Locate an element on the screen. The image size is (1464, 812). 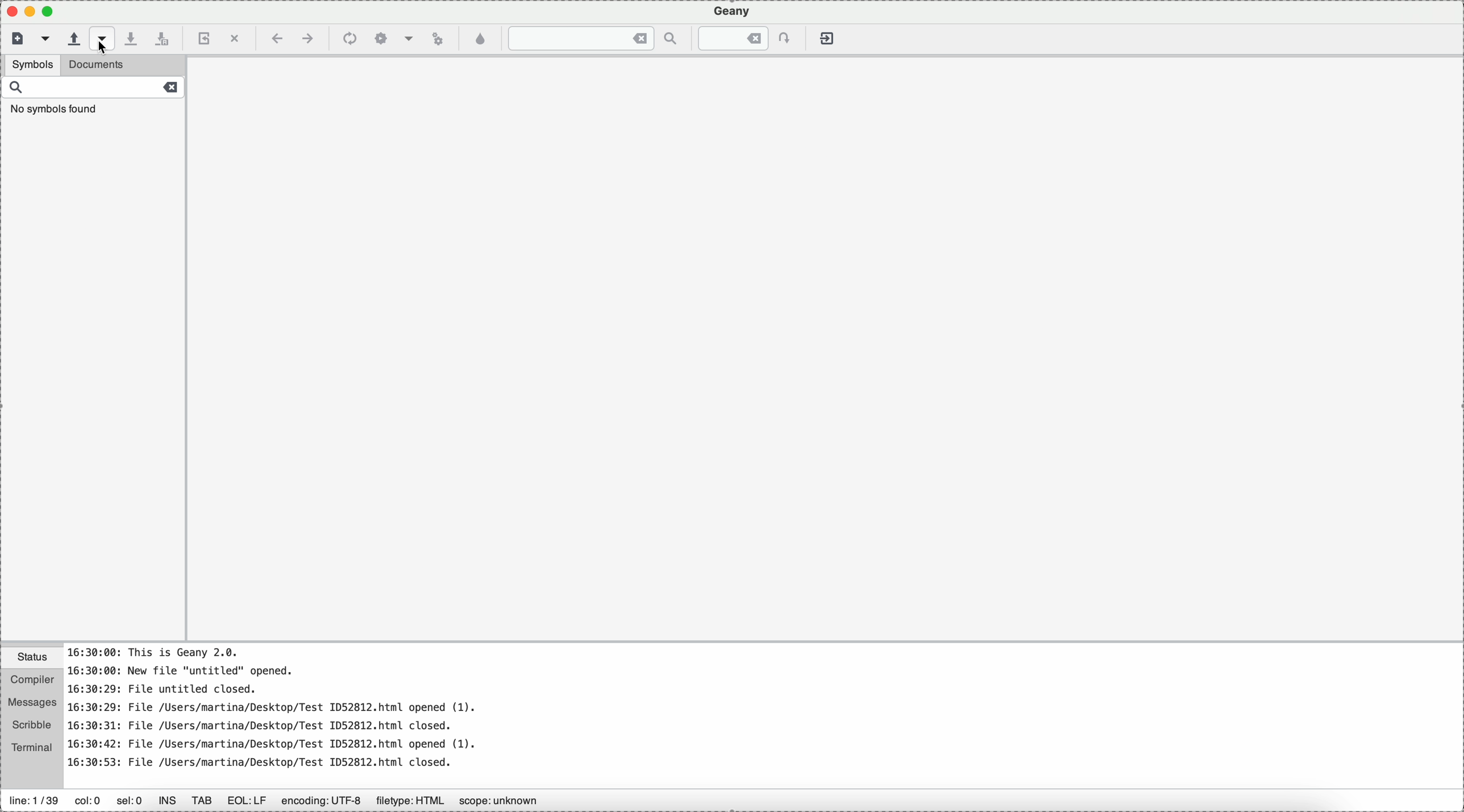
find the entered text in the current file is located at coordinates (592, 39).